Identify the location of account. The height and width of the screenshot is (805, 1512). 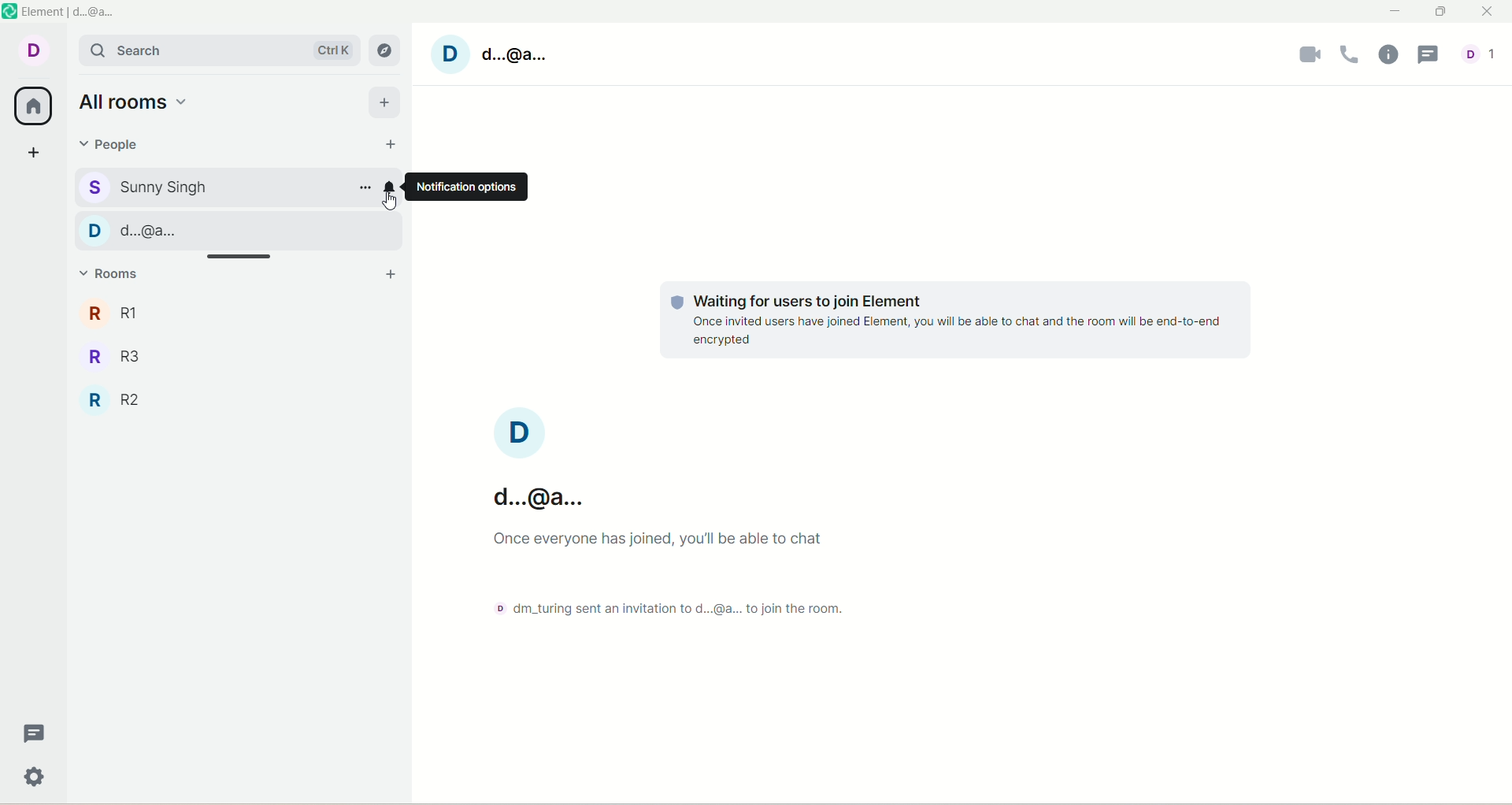
(31, 51).